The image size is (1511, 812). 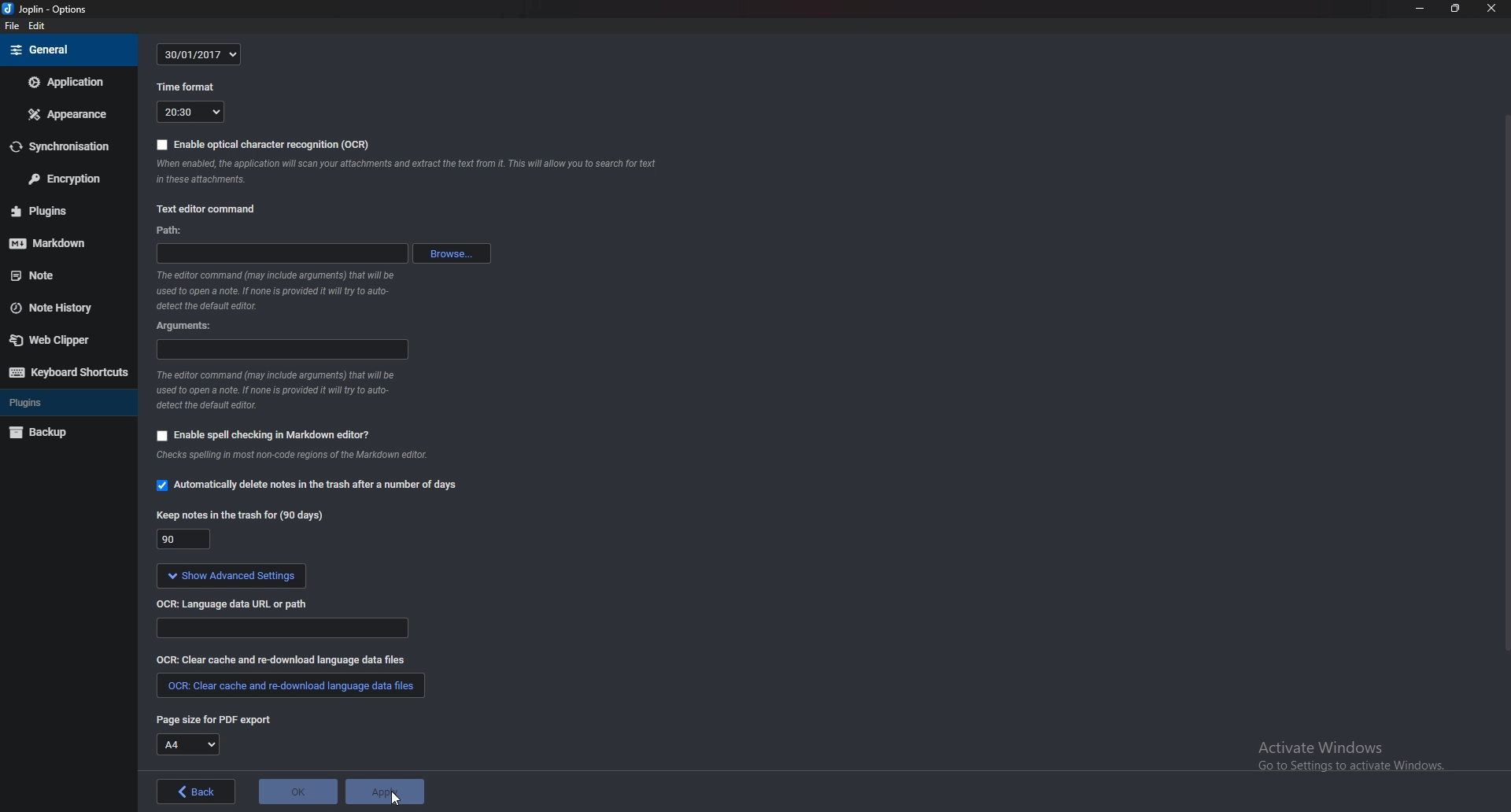 What do you see at coordinates (183, 541) in the screenshot?
I see `90 days` at bounding box center [183, 541].